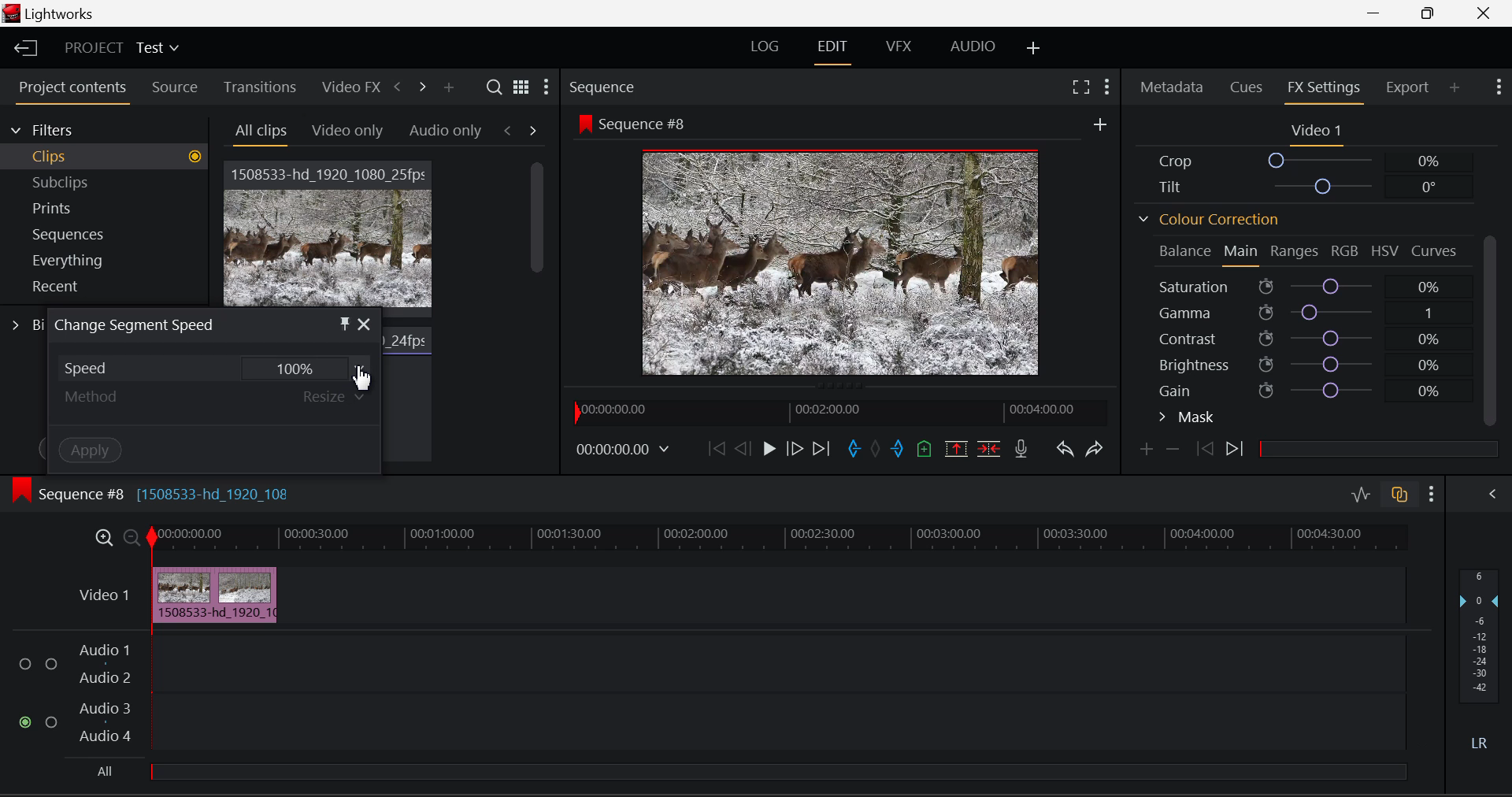 The height and width of the screenshot is (797, 1512). What do you see at coordinates (1173, 451) in the screenshot?
I see `Remove keyframe` at bounding box center [1173, 451].